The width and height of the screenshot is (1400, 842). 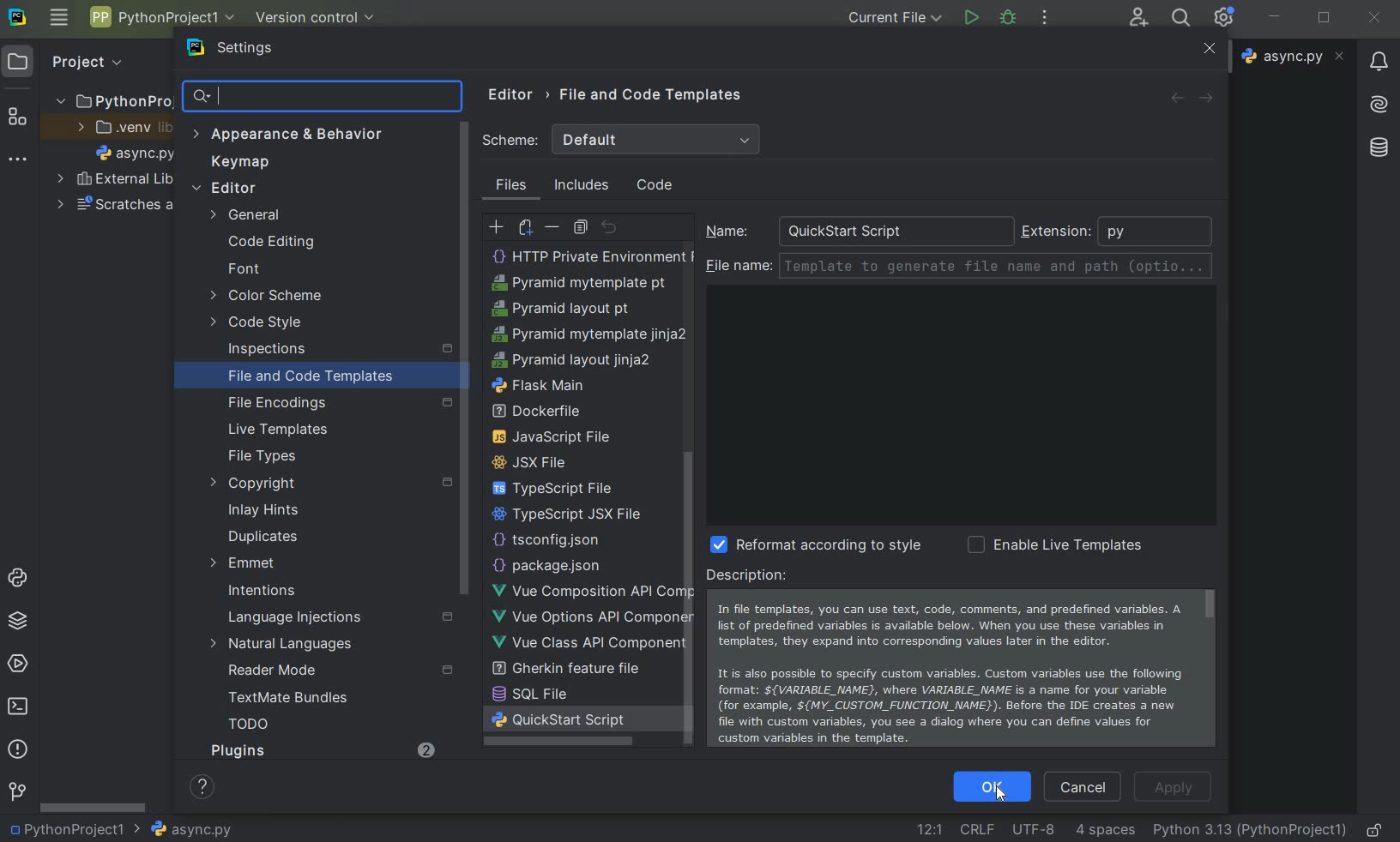 I want to click on HTTP Private Environment, so click(x=591, y=614).